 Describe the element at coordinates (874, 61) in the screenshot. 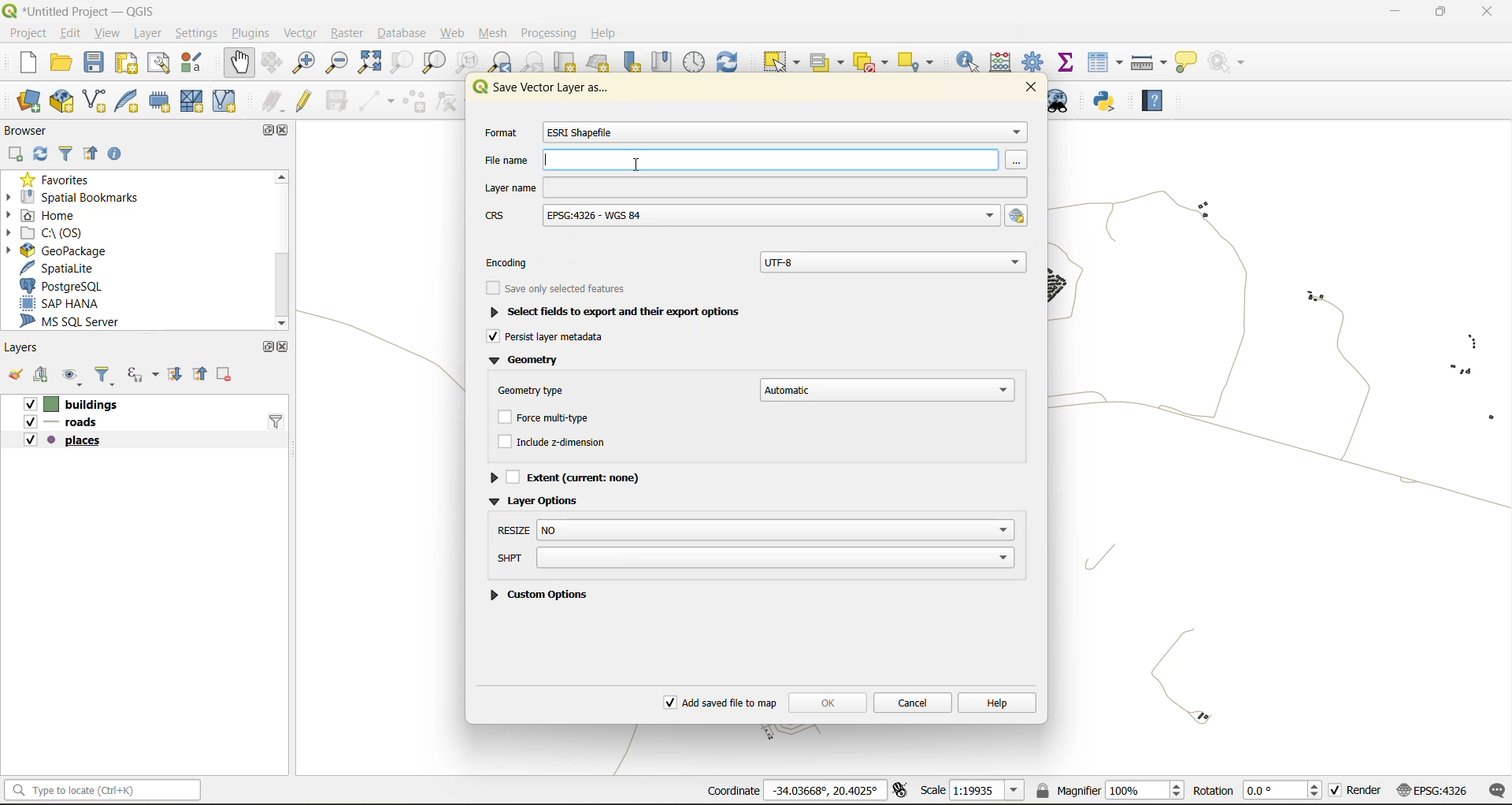

I see `deselect value` at that location.